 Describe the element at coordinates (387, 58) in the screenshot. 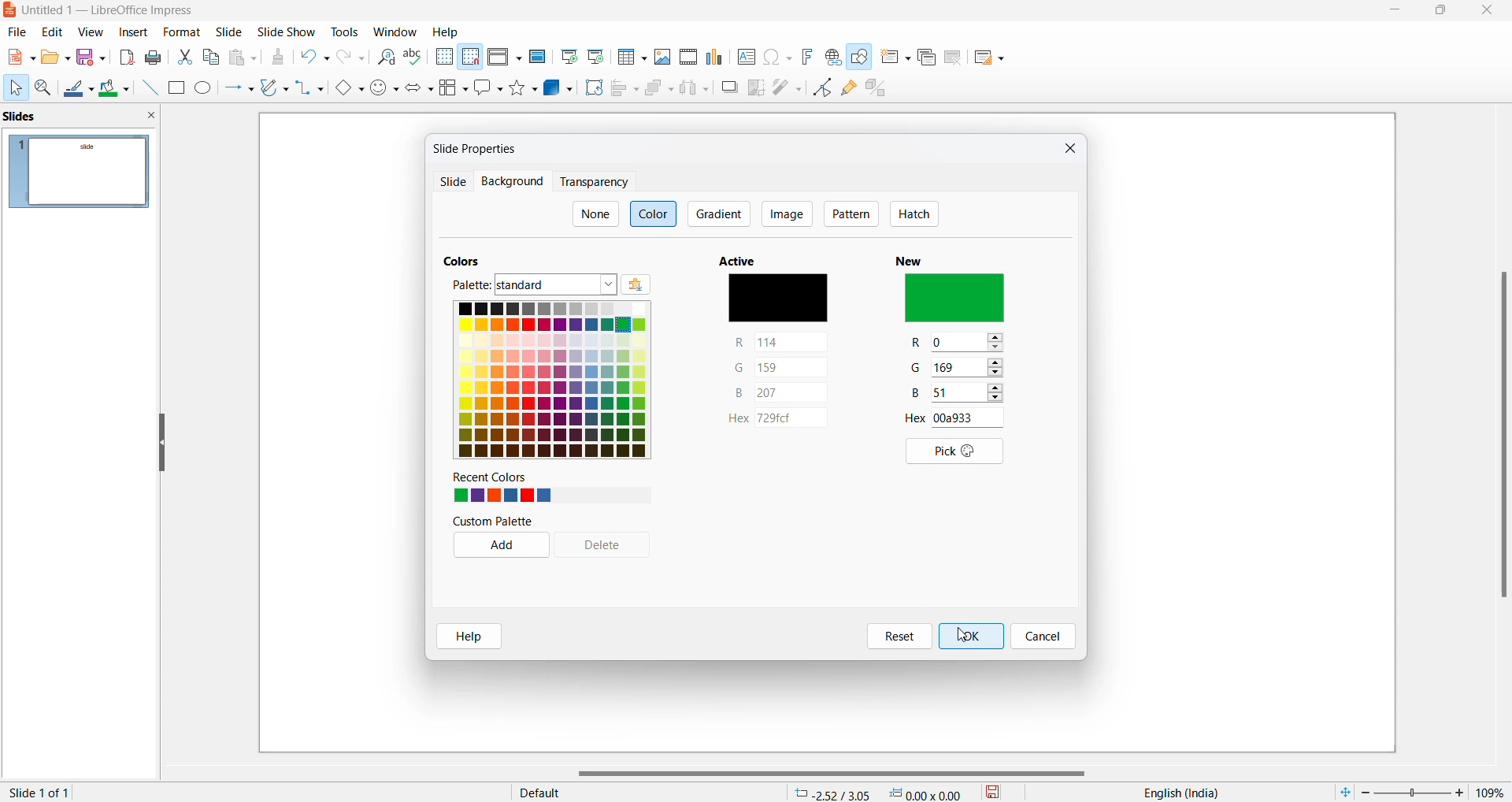

I see `find ` at that location.